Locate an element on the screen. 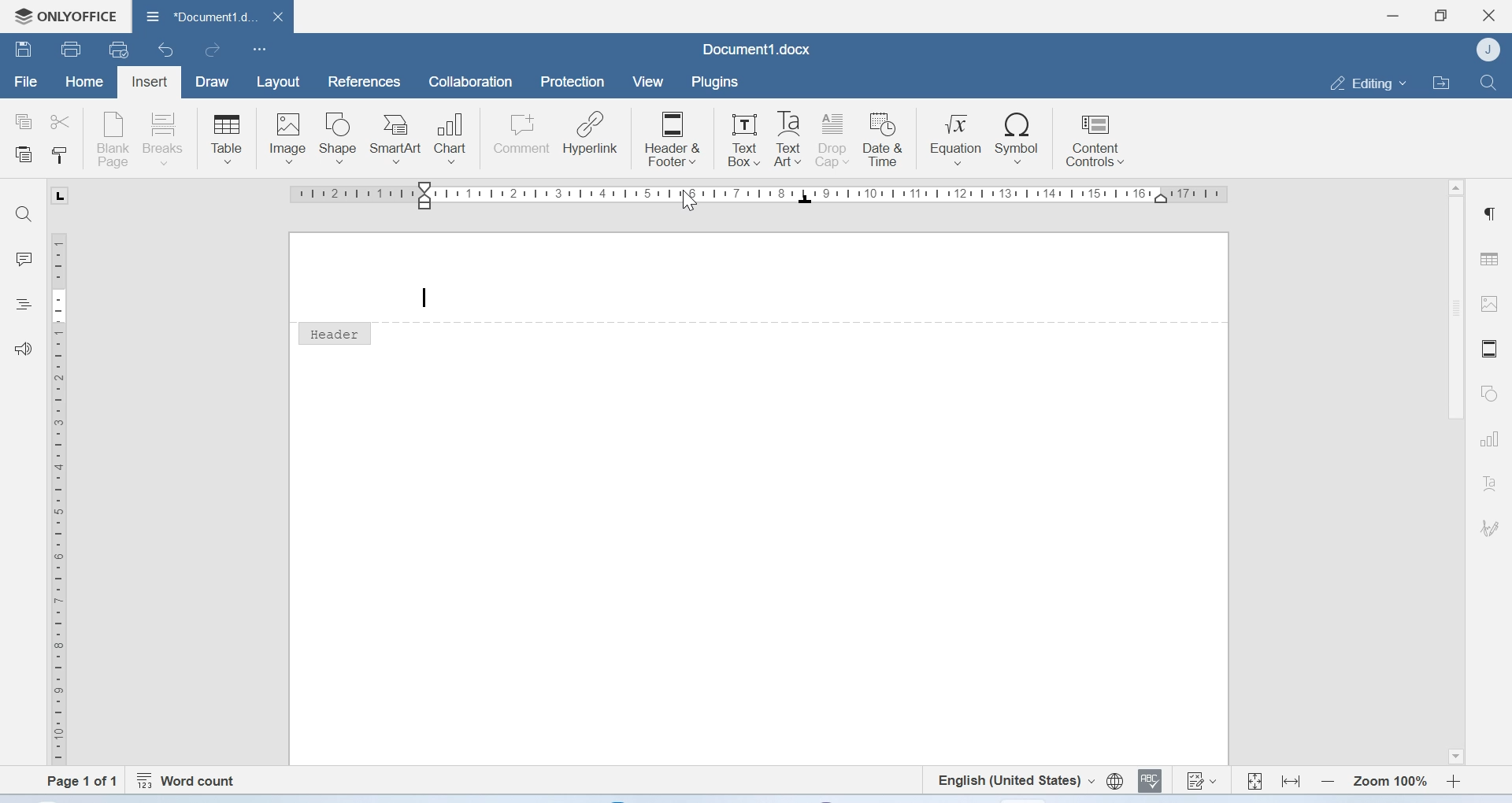 The image size is (1512, 803). Hyperlink is located at coordinates (591, 135).